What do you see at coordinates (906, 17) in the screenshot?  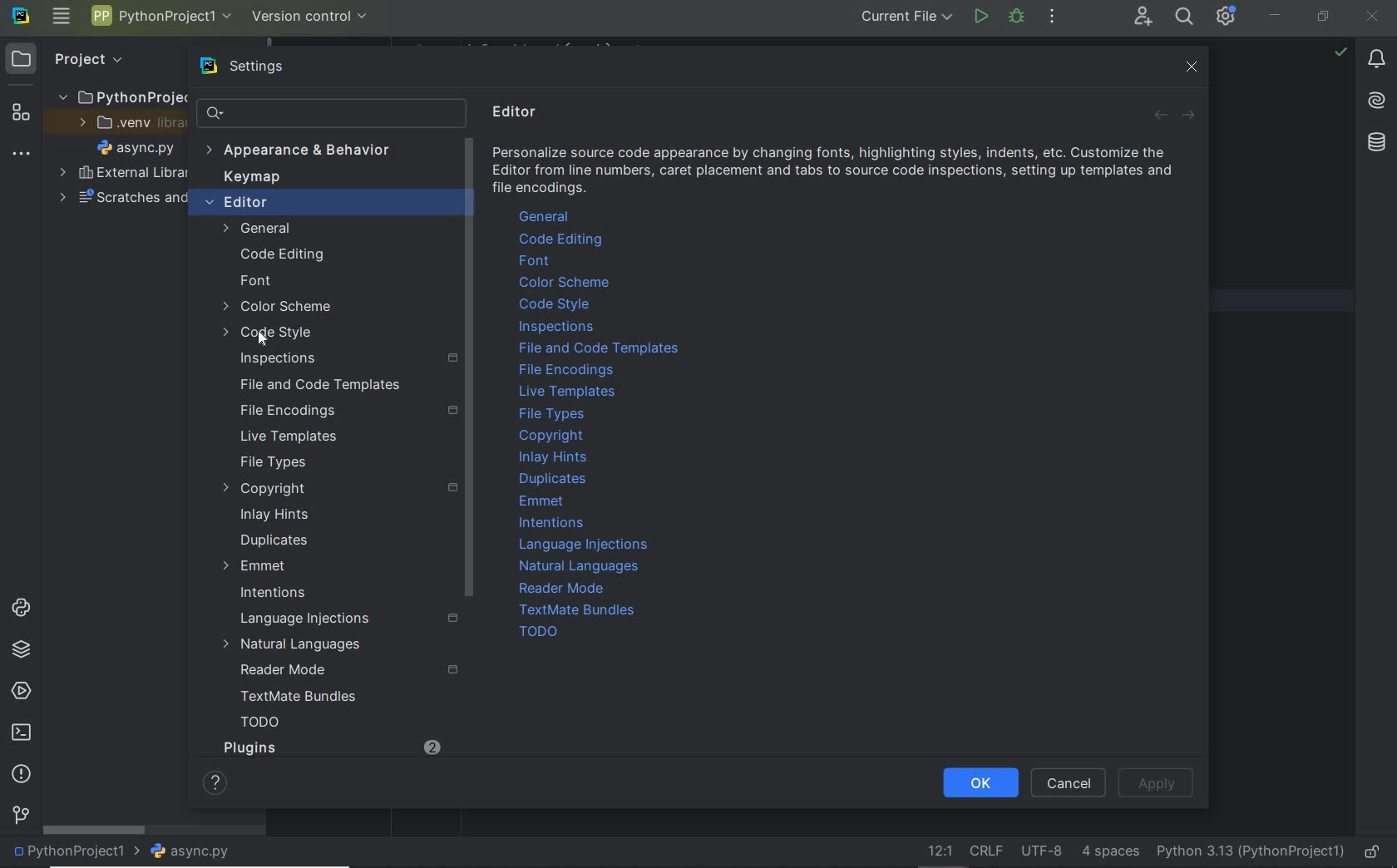 I see `current file` at bounding box center [906, 17].